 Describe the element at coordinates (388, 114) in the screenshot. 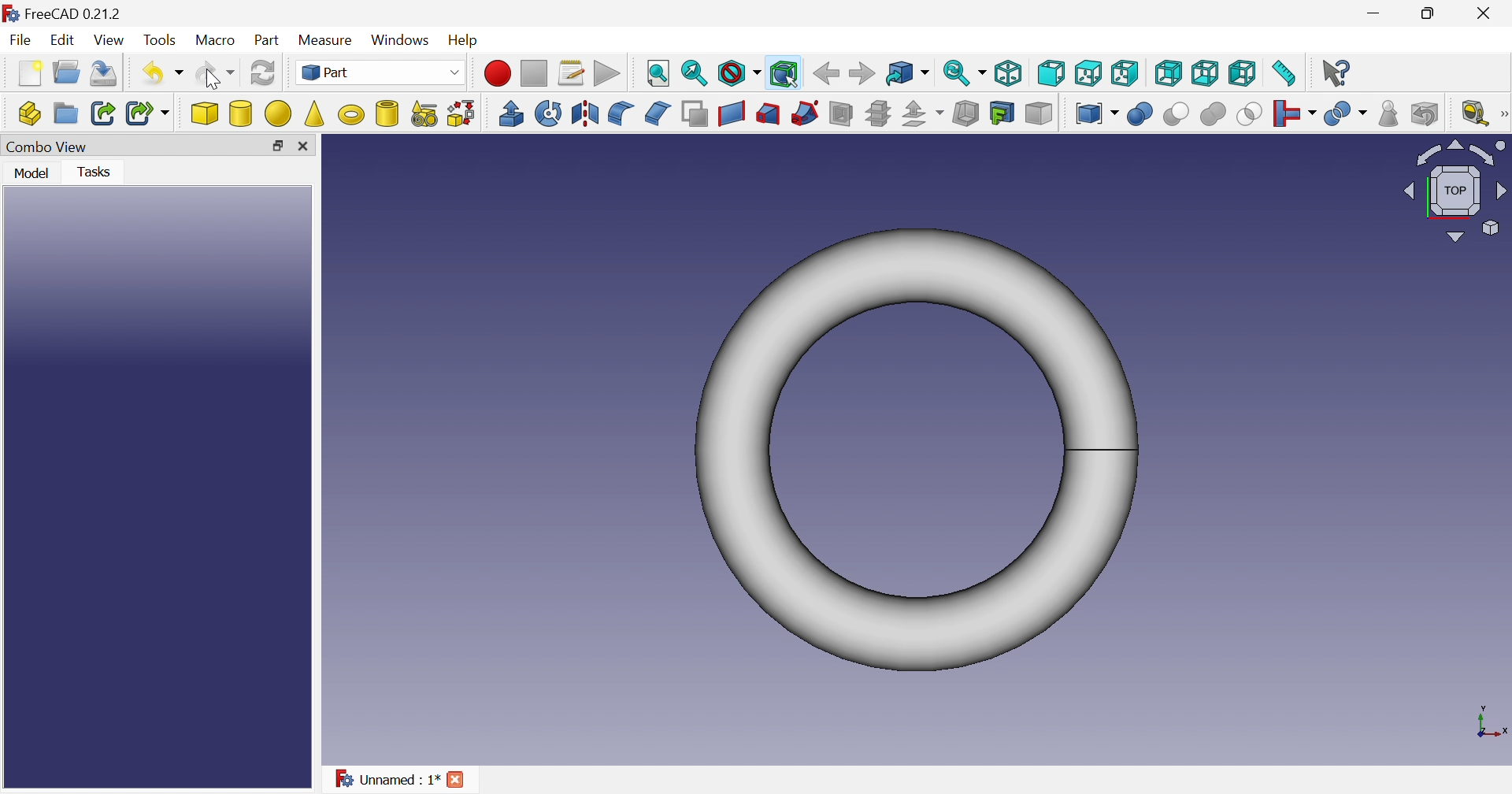

I see `Create tube` at that location.